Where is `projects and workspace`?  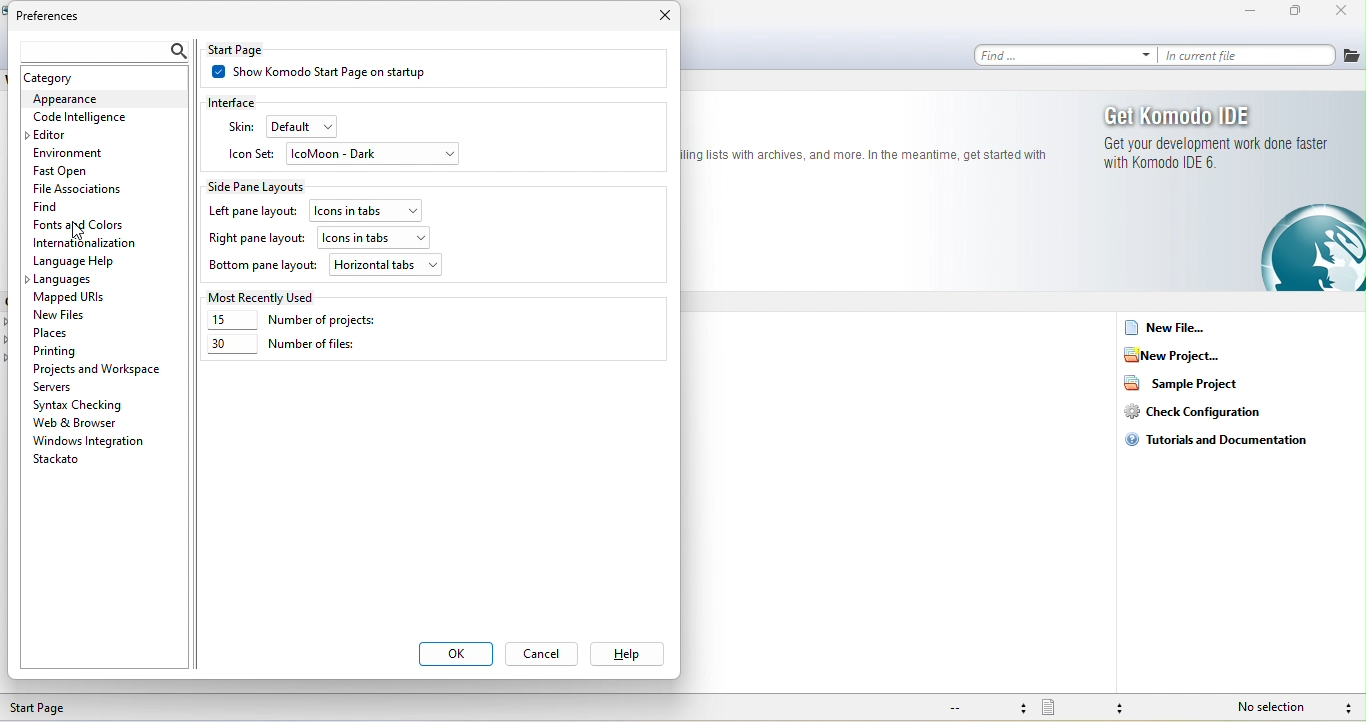
projects and workspace is located at coordinates (101, 369).